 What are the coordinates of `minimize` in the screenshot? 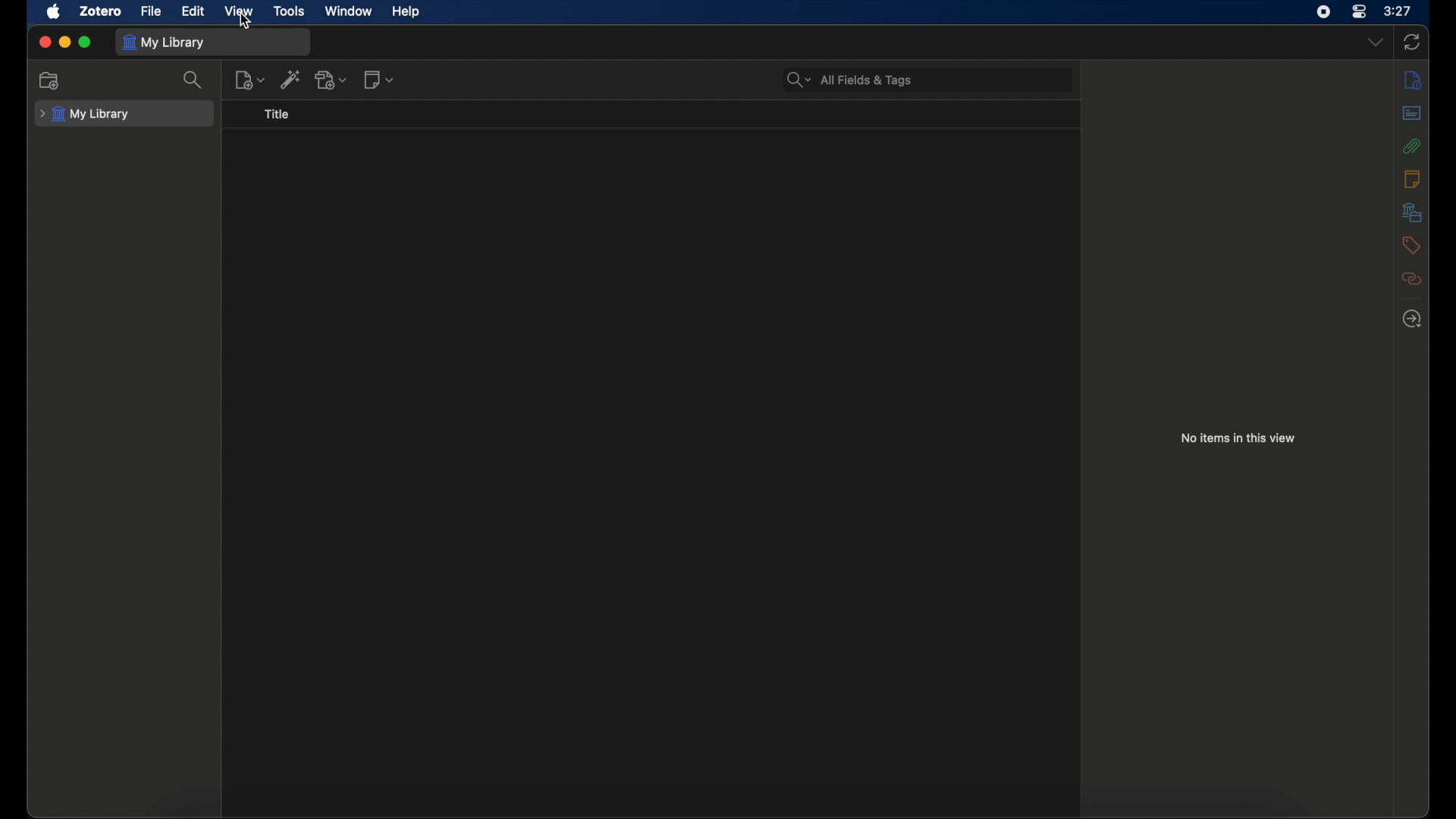 It's located at (65, 42).